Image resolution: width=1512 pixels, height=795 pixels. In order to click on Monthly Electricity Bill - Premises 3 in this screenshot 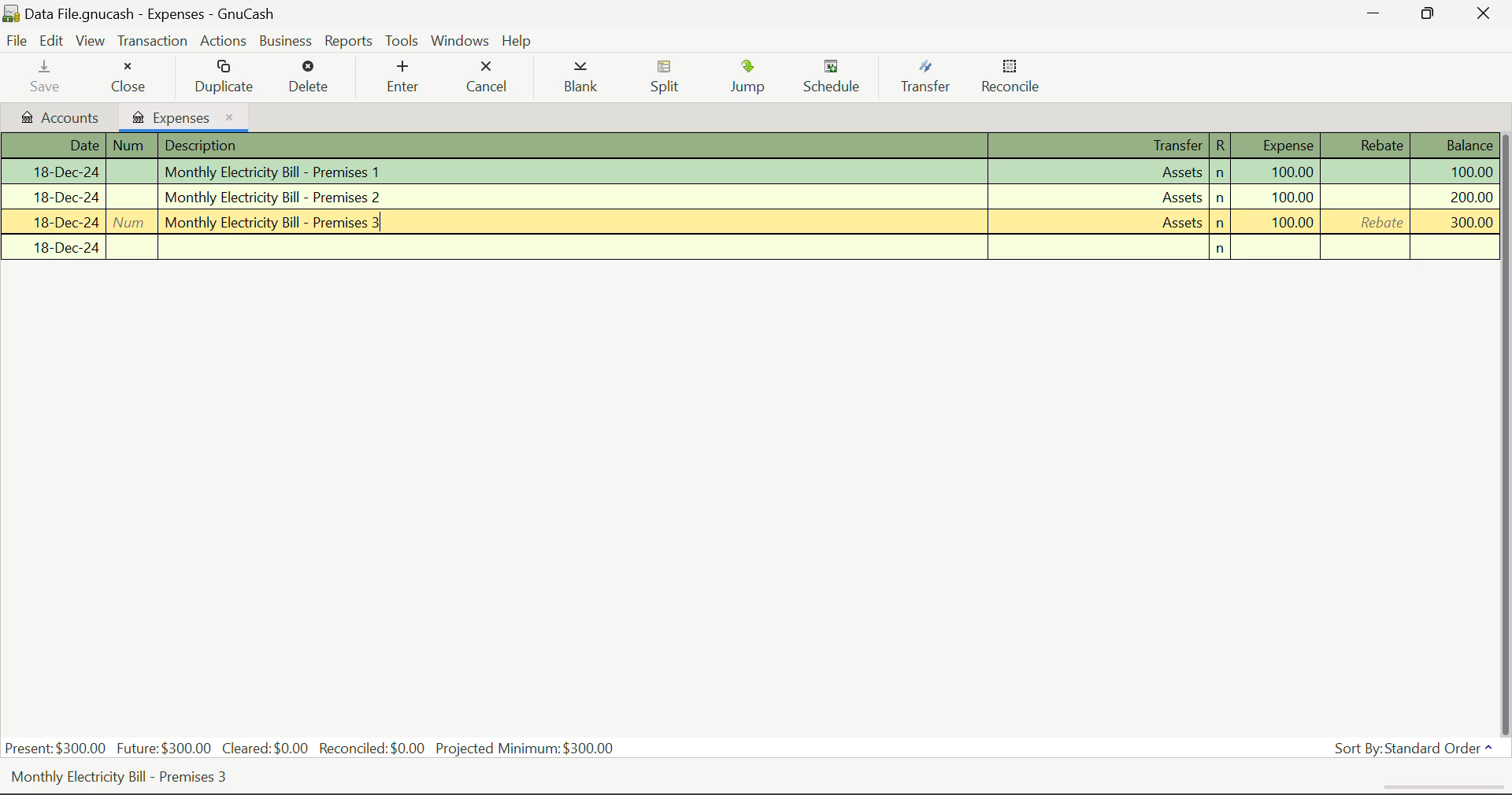, I will do `click(751, 221)`.